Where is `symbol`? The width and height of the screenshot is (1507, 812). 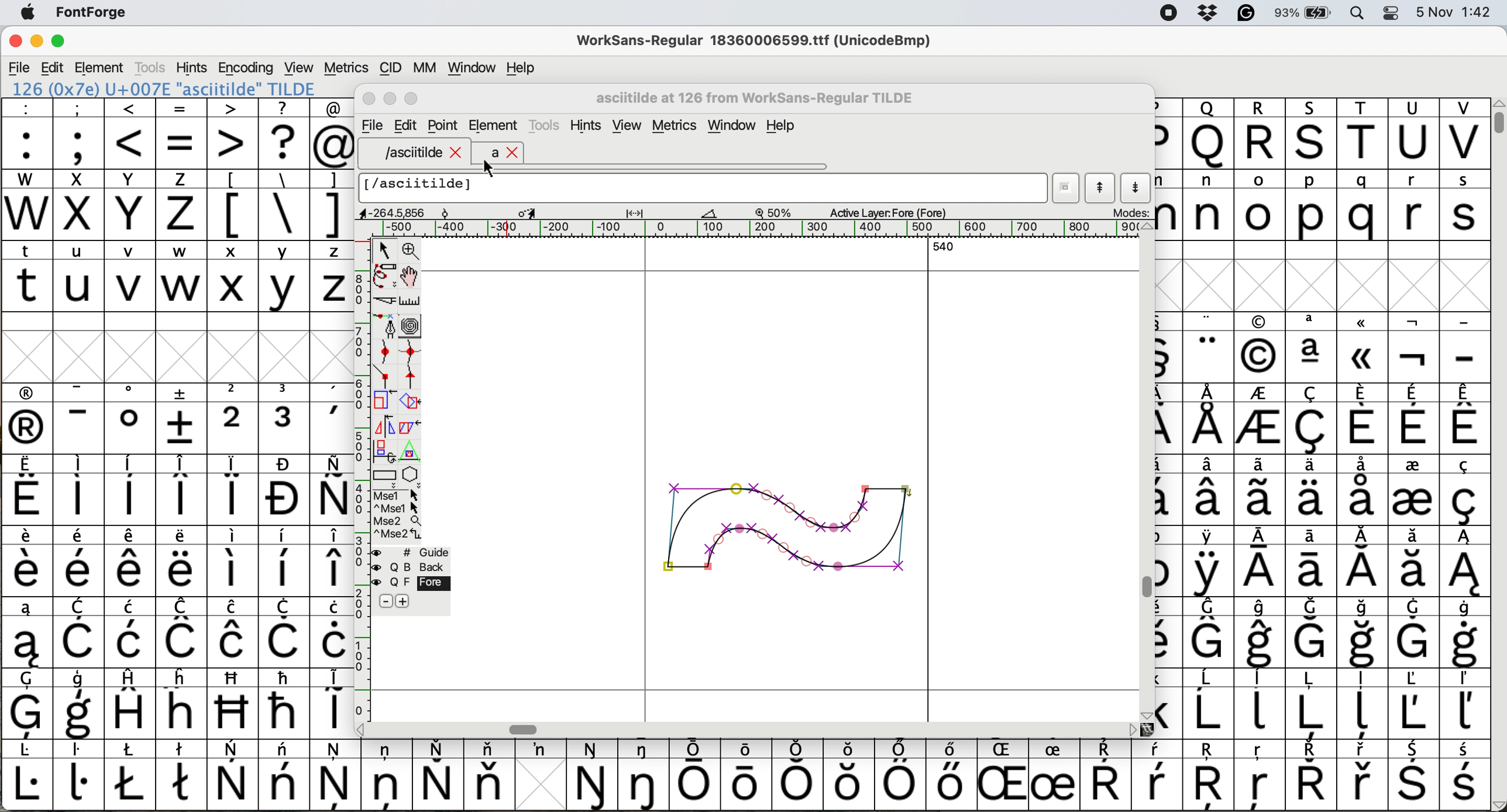 symbol is located at coordinates (1413, 562).